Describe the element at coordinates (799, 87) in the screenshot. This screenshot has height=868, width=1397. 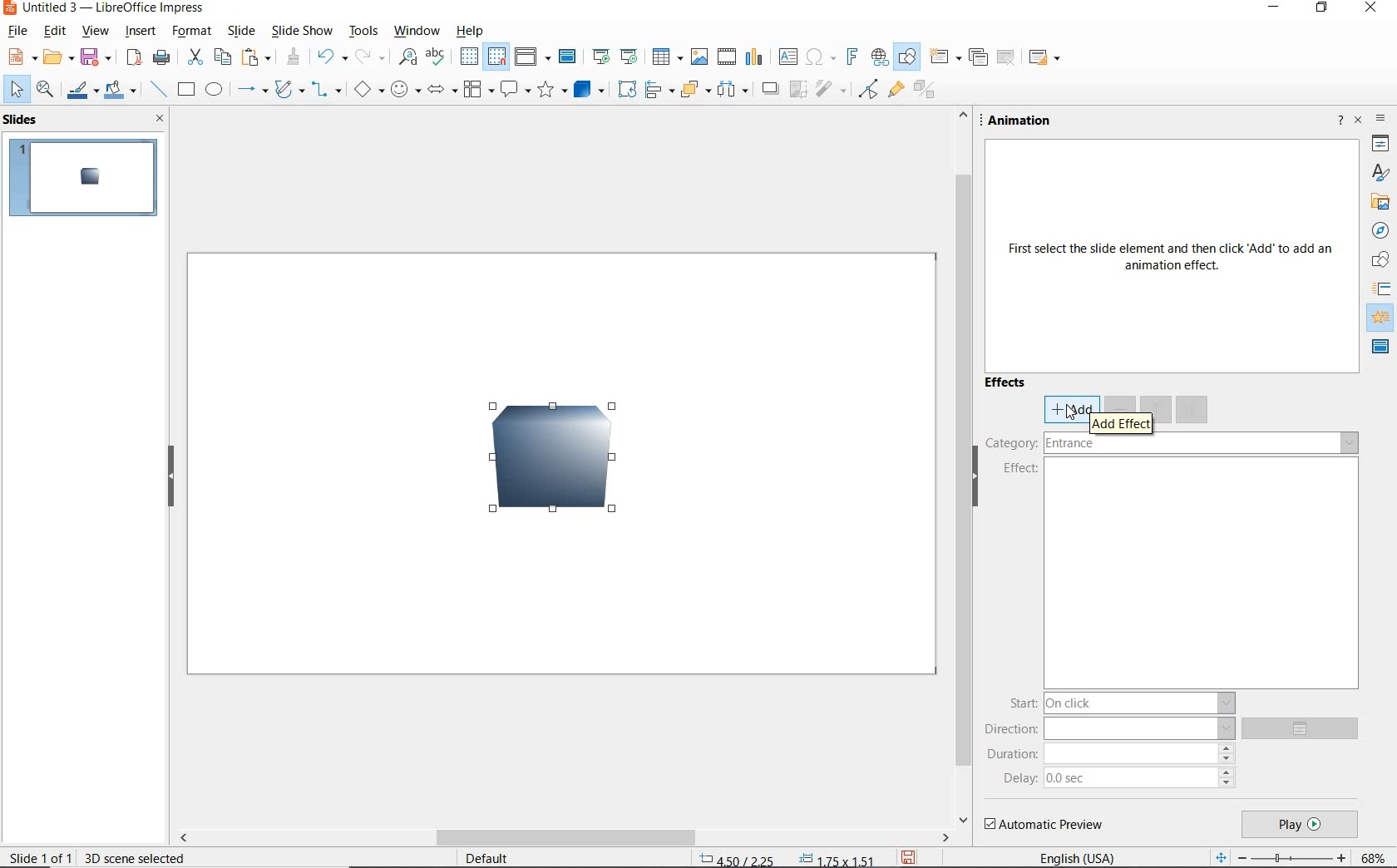
I see `crop image` at that location.